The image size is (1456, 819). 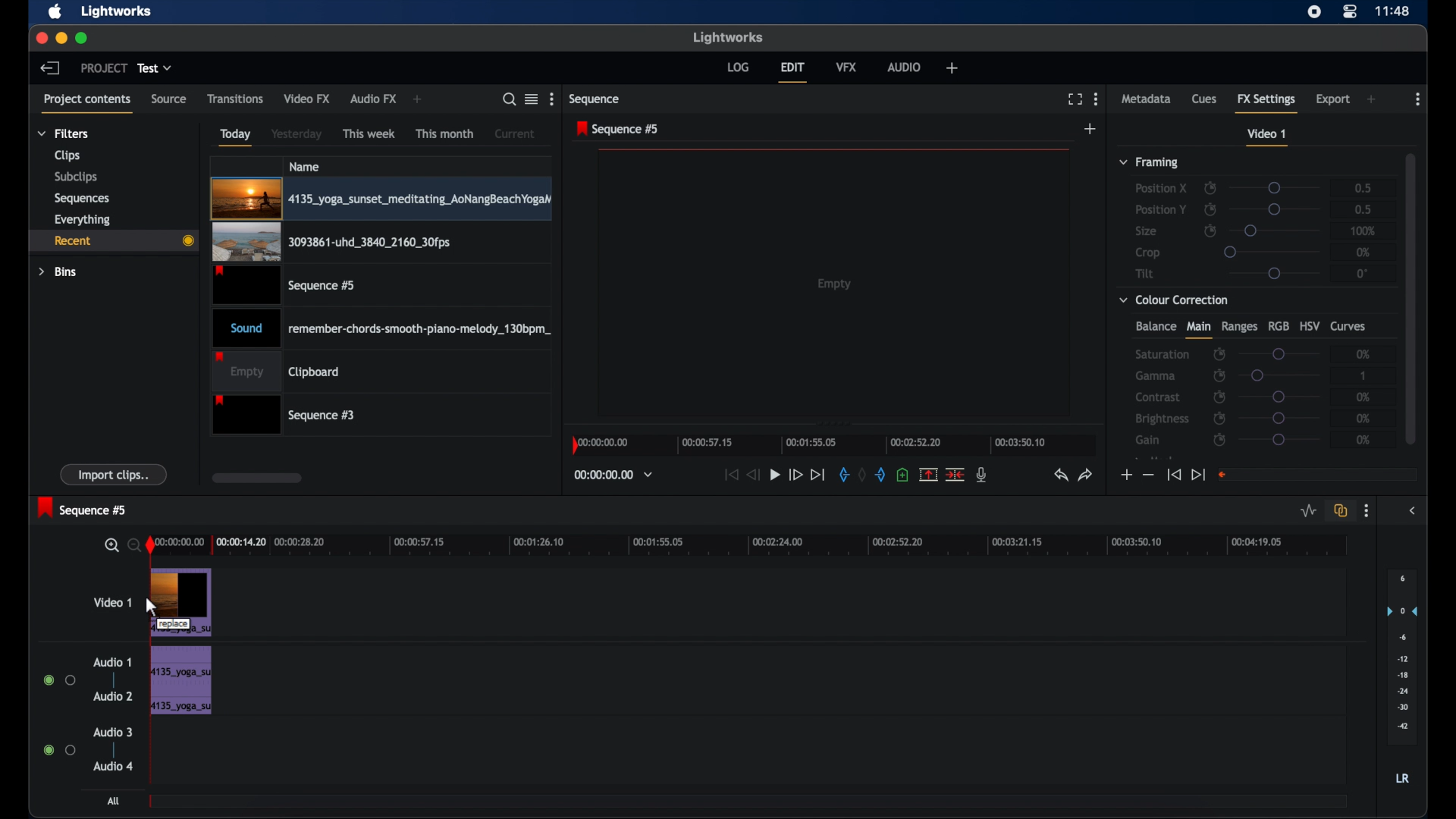 I want to click on screen recorder, so click(x=1315, y=11).